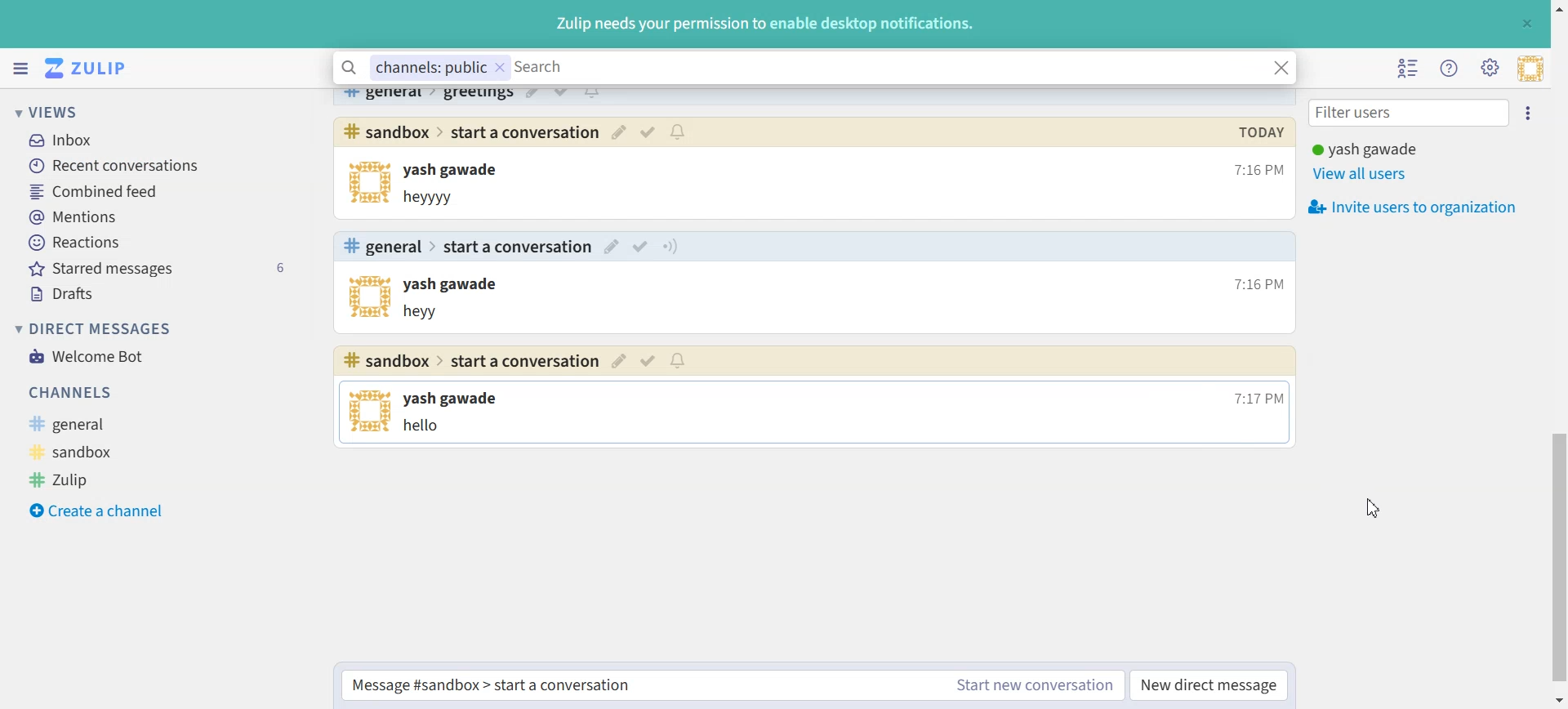  What do you see at coordinates (1256, 170) in the screenshot?
I see `Time` at bounding box center [1256, 170].